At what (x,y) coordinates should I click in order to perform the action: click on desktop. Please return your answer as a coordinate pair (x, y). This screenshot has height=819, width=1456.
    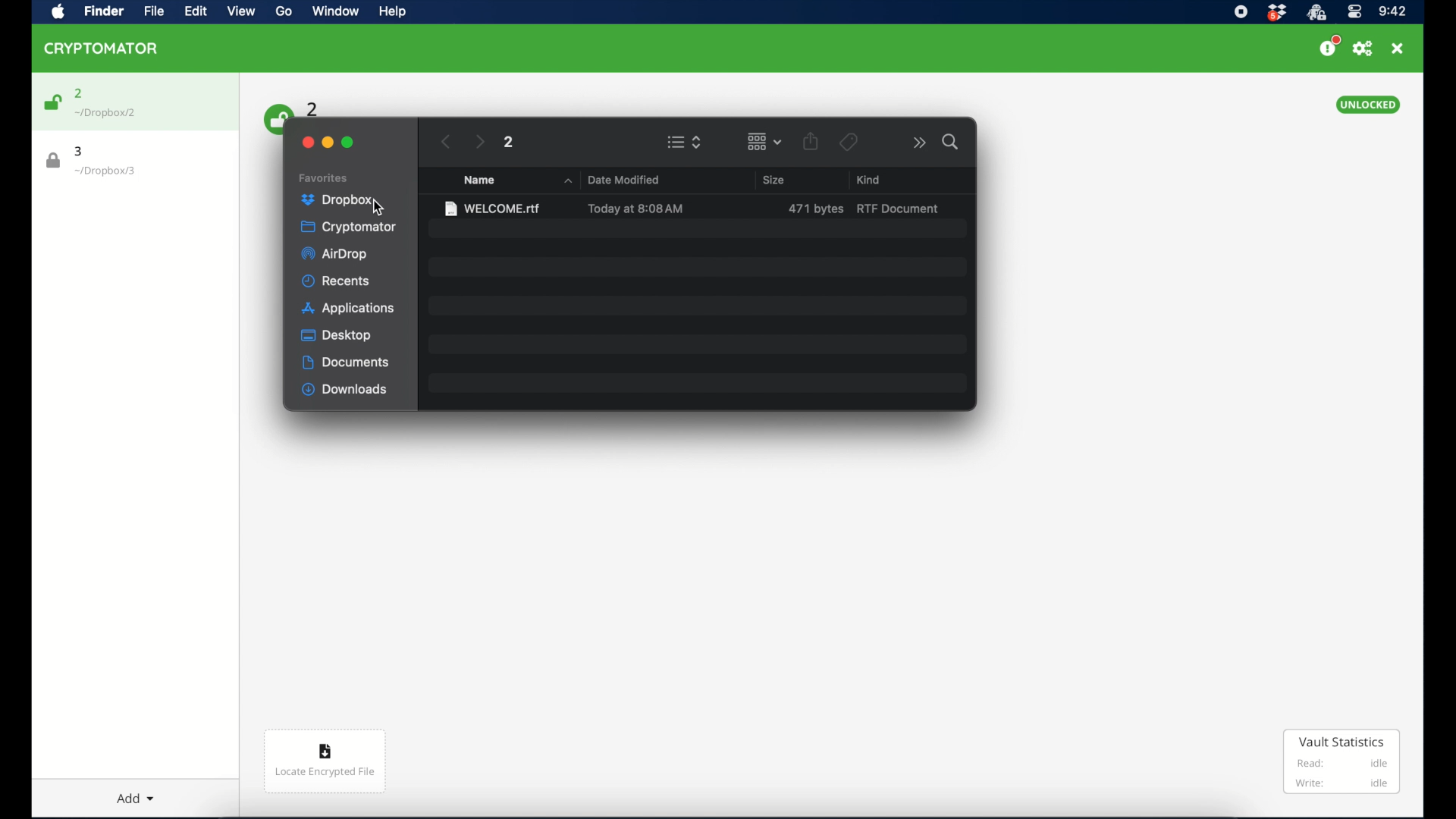
    Looking at the image, I should click on (337, 335).